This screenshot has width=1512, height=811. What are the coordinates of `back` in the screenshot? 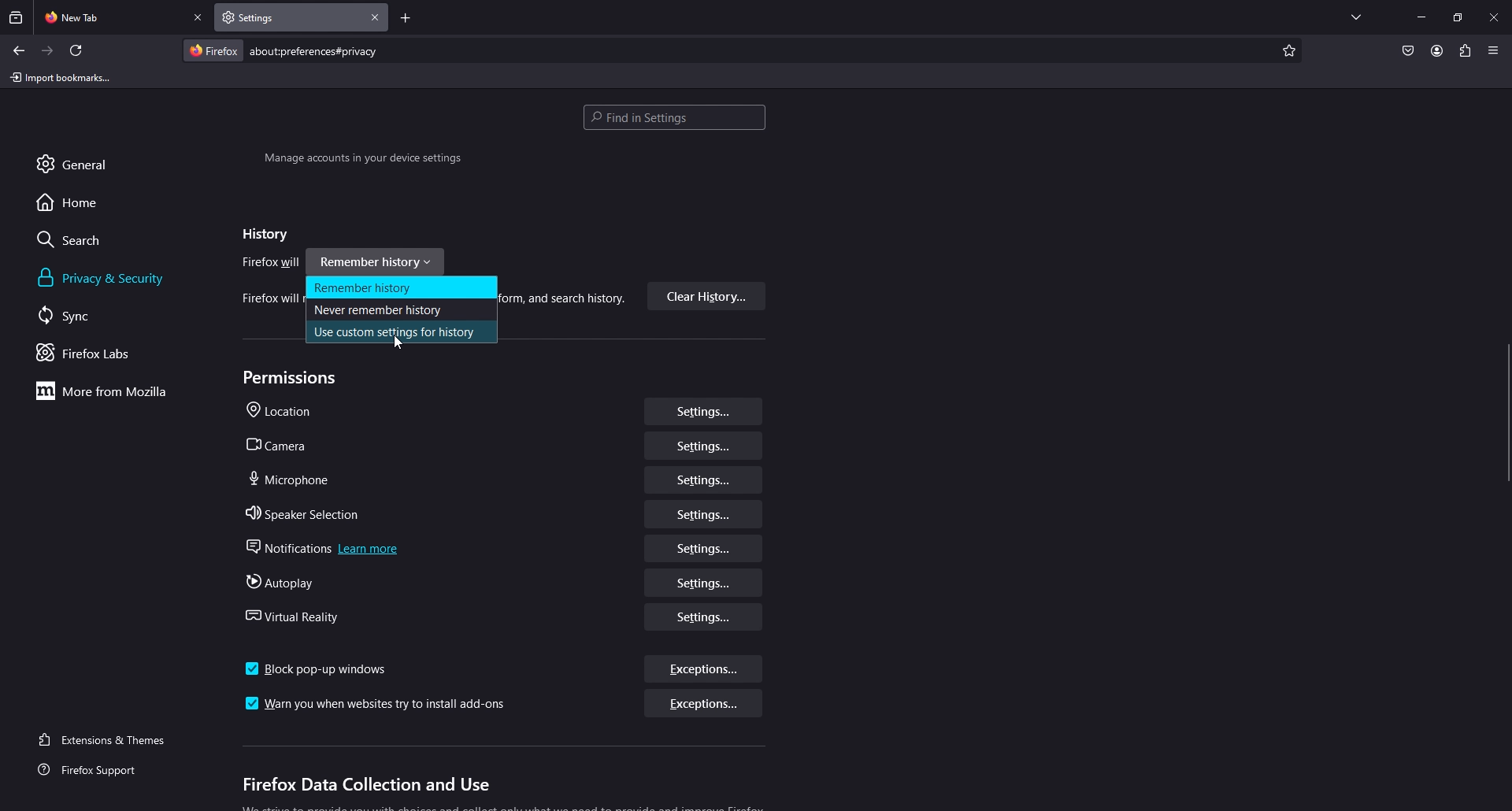 It's located at (18, 50).